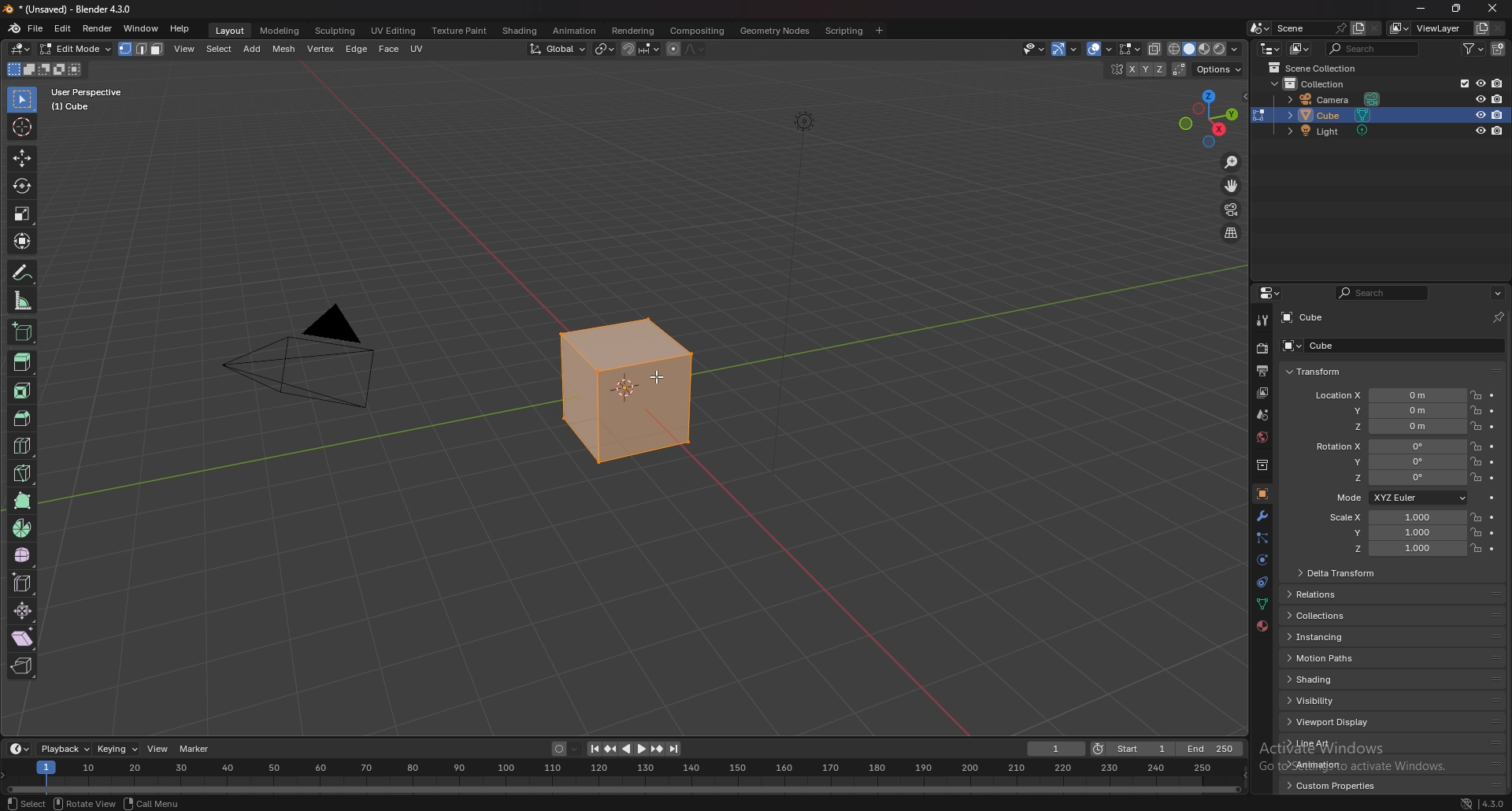 This screenshot has width=1512, height=811. I want to click on disable in render, so click(1498, 130).